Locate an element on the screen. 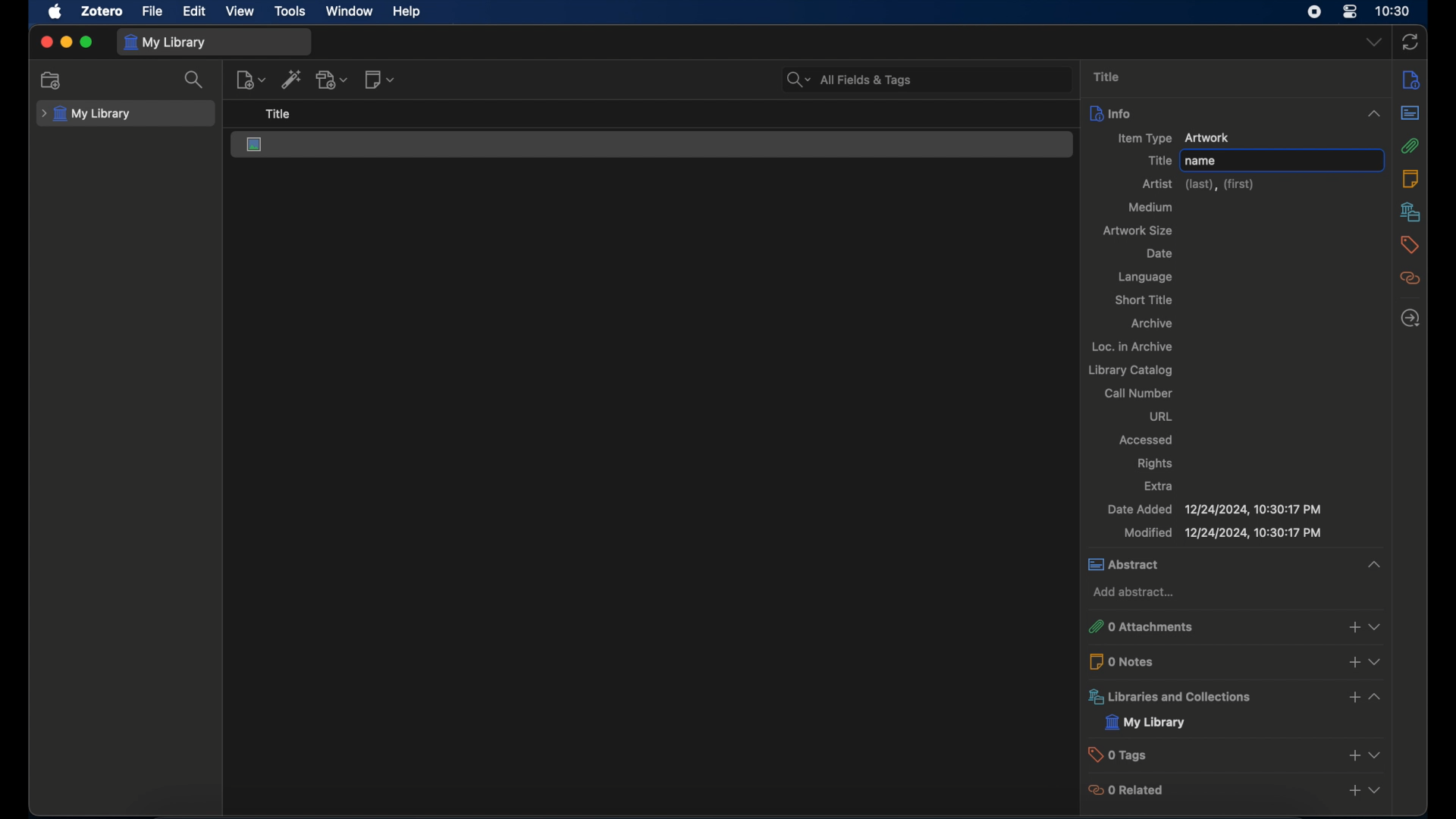 This screenshot has width=1456, height=819. extra is located at coordinates (1159, 486).